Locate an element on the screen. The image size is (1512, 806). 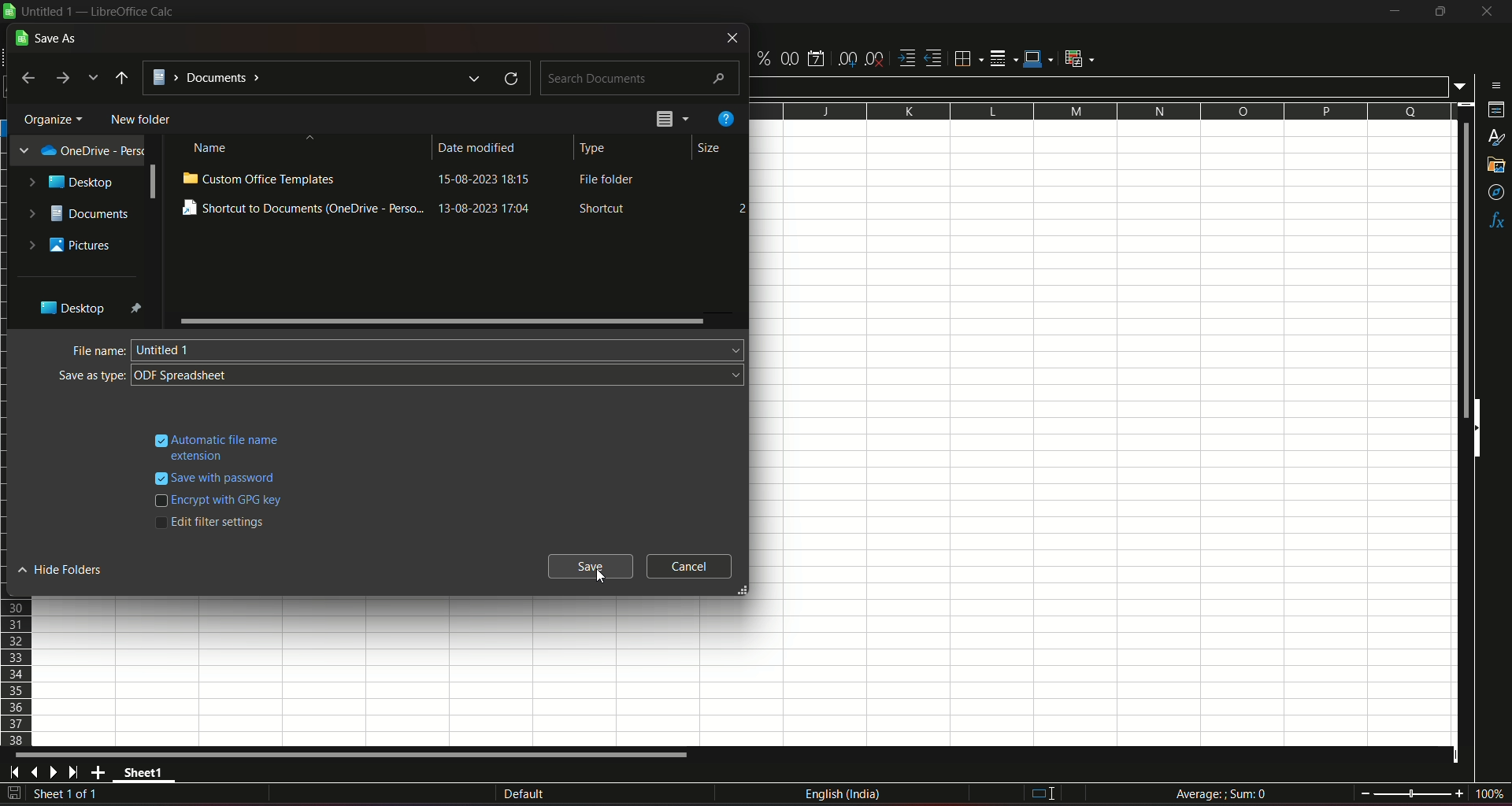
enable checkbox is located at coordinates (159, 438).